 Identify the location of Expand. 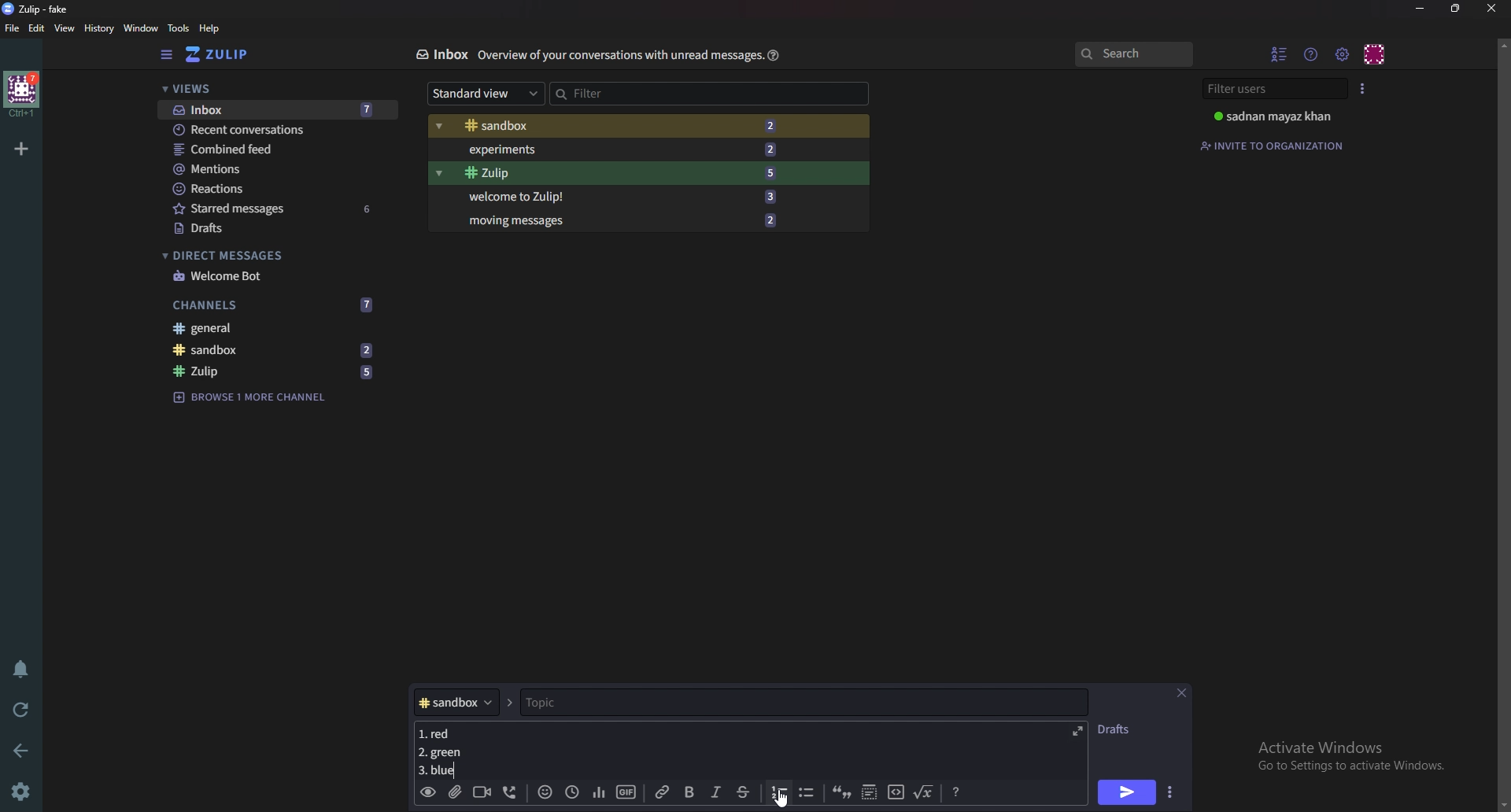
(1076, 733).